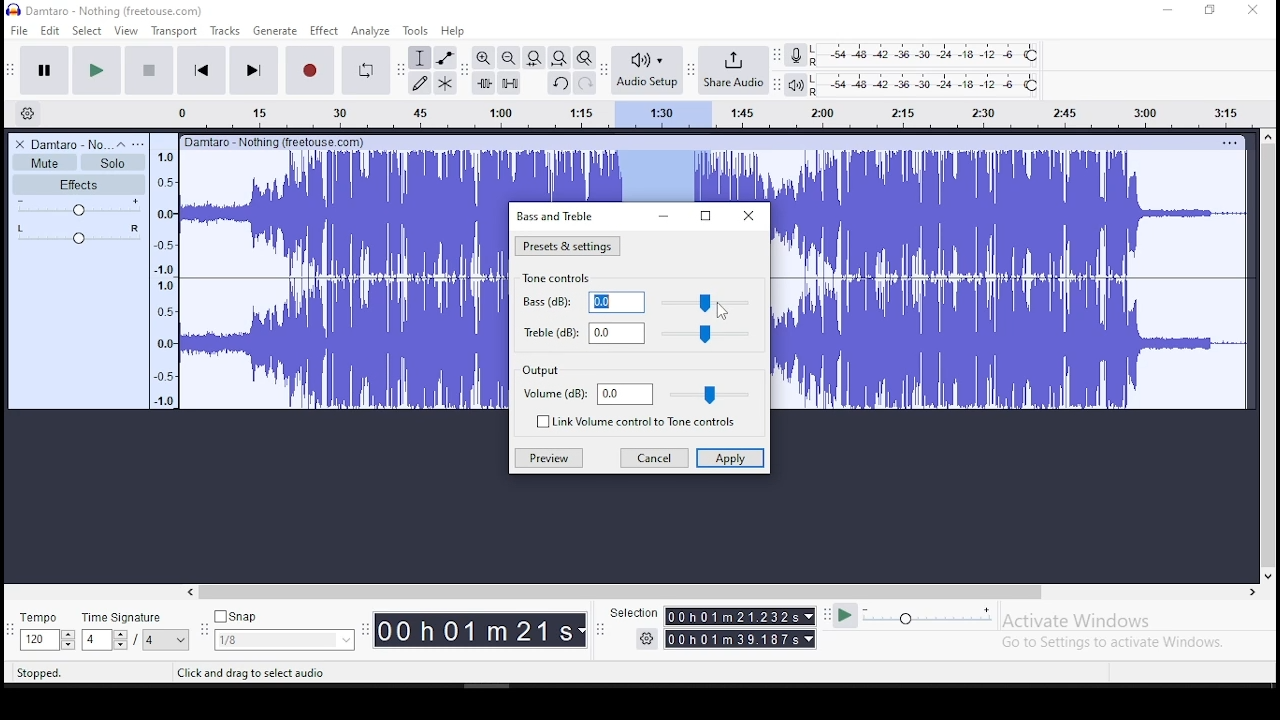 This screenshot has width=1280, height=720. Describe the element at coordinates (8, 629) in the screenshot. I see `` at that location.